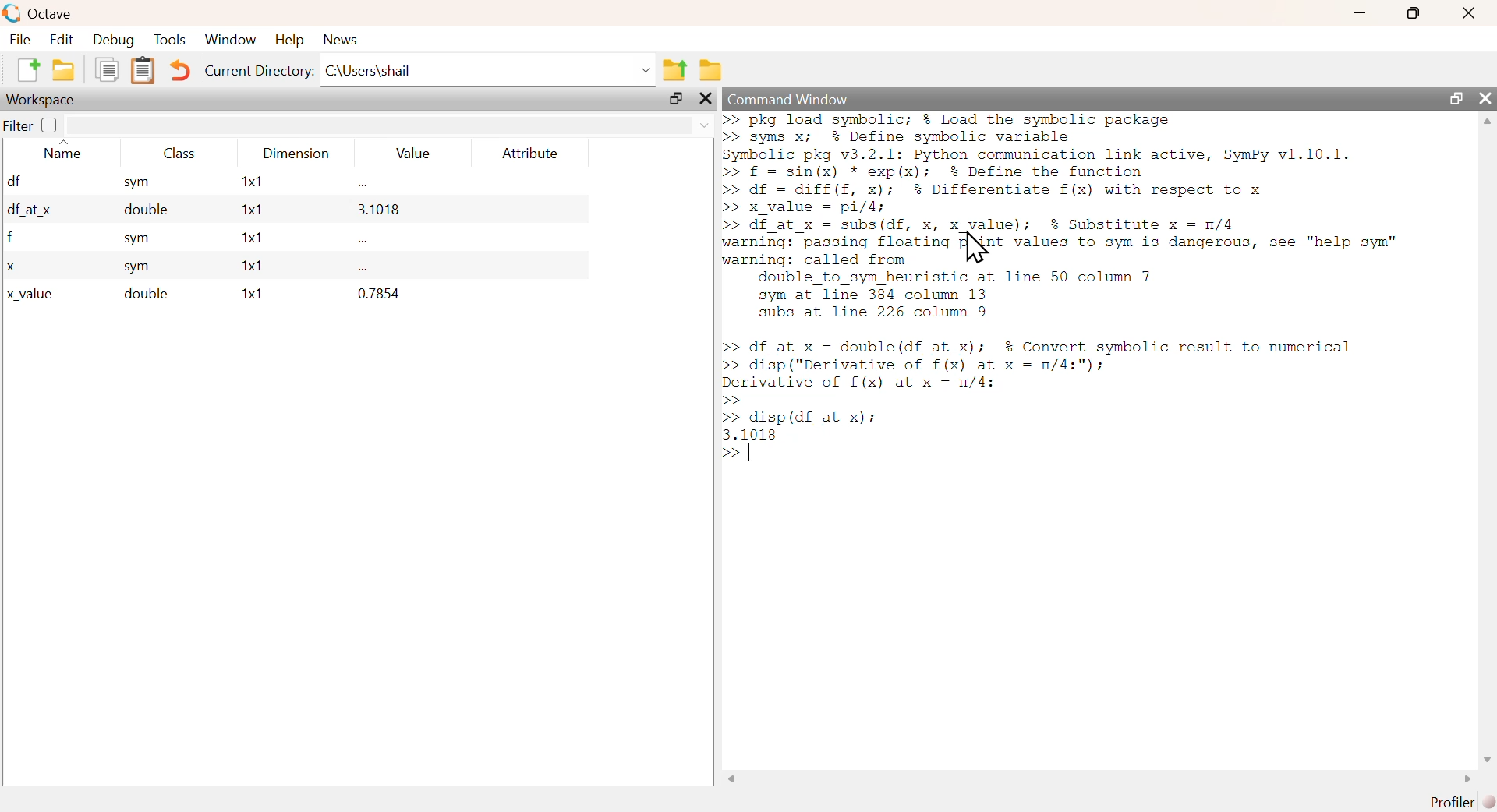 This screenshot has width=1497, height=812. Describe the element at coordinates (108, 70) in the screenshot. I see `Copy` at that location.